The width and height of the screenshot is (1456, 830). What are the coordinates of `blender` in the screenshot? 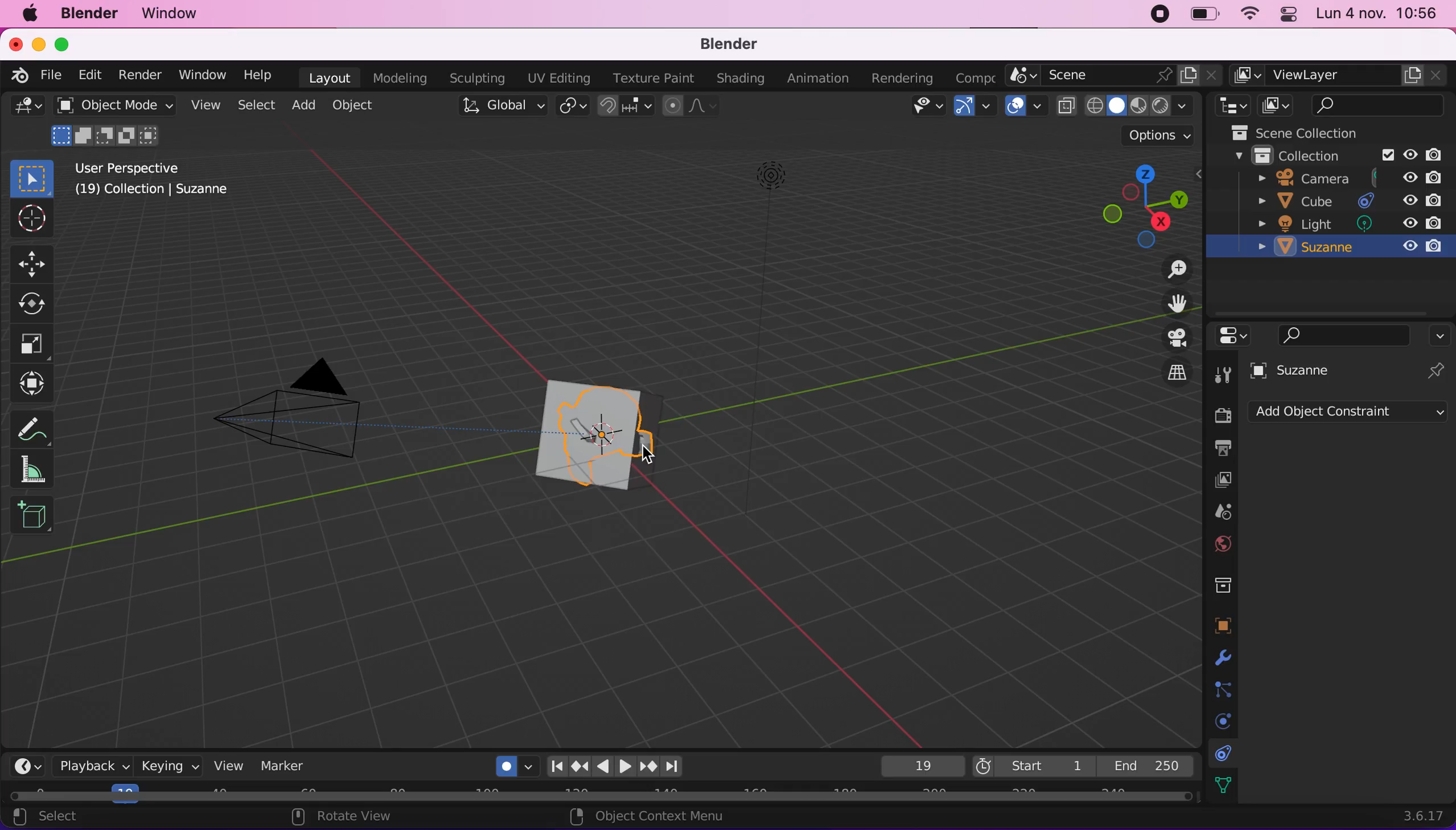 It's located at (91, 14).